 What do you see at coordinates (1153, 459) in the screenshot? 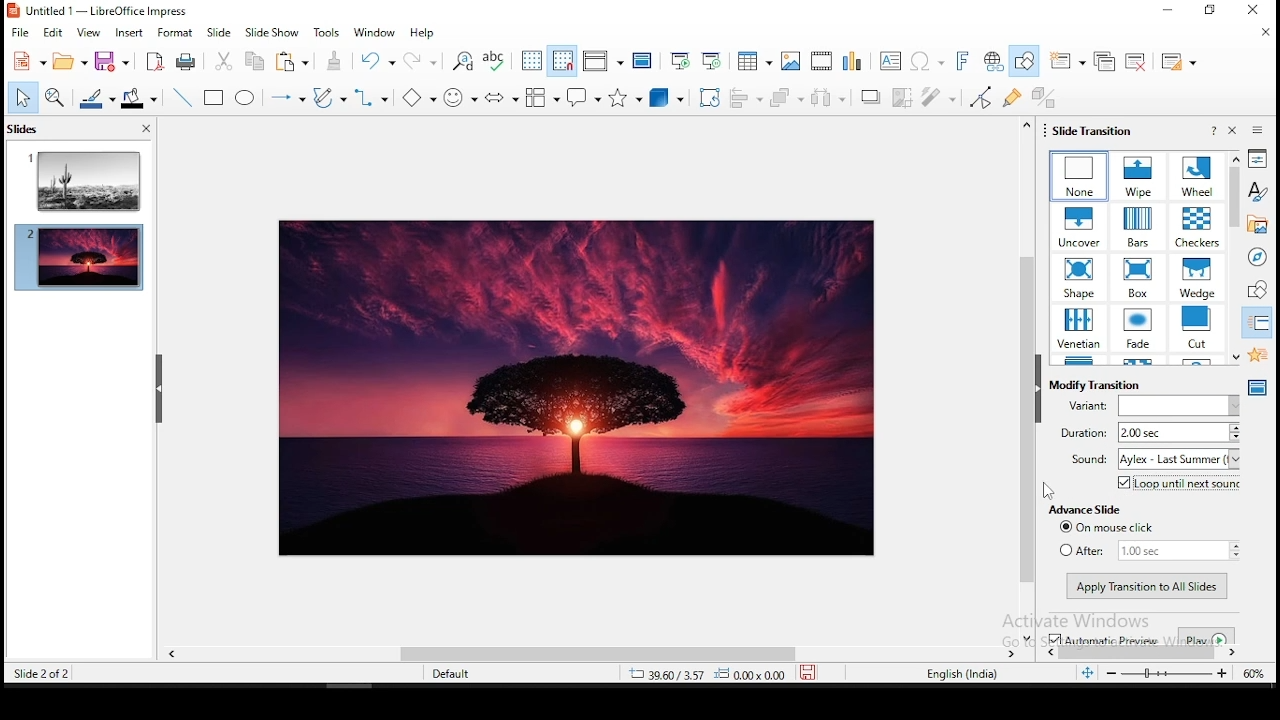
I see `sound aylex - Last Summer` at bounding box center [1153, 459].